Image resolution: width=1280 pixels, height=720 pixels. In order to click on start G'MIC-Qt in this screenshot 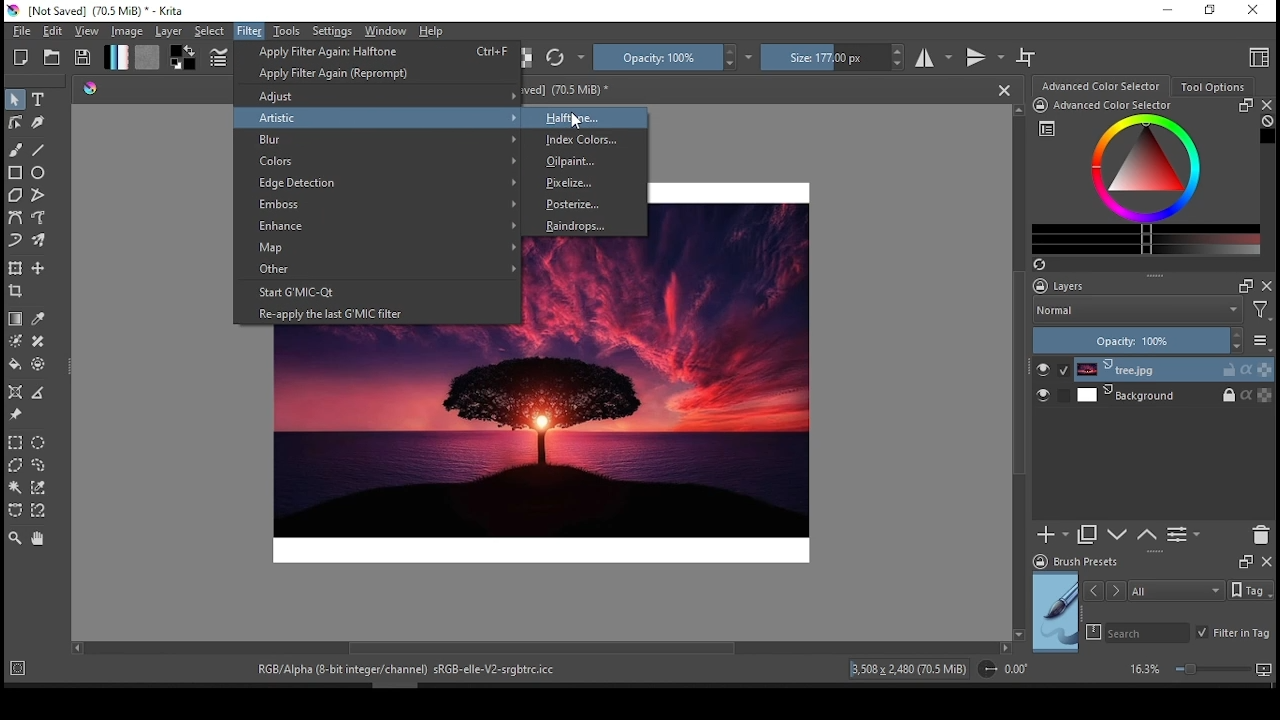, I will do `click(377, 290)`.